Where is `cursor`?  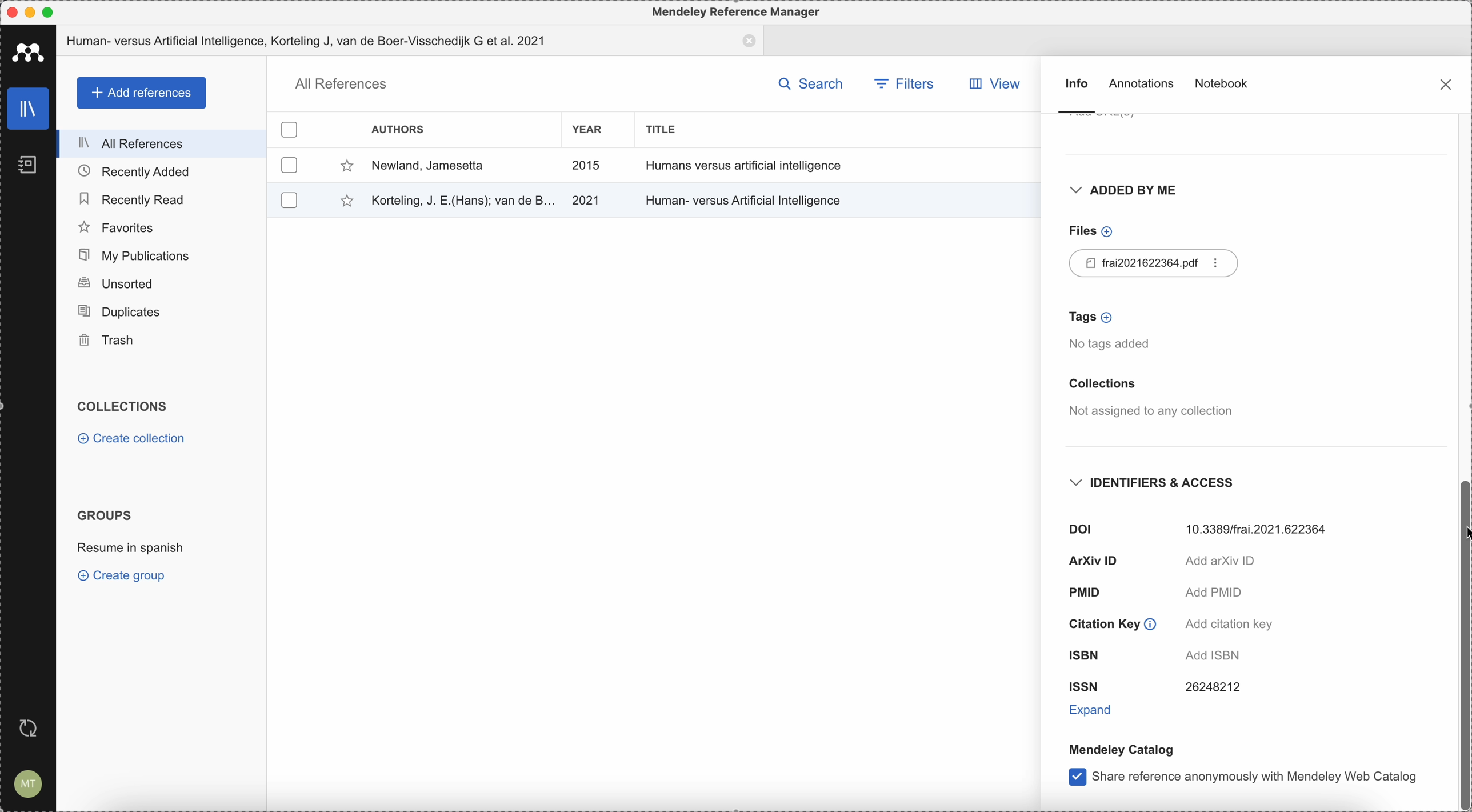
cursor is located at coordinates (1463, 533).